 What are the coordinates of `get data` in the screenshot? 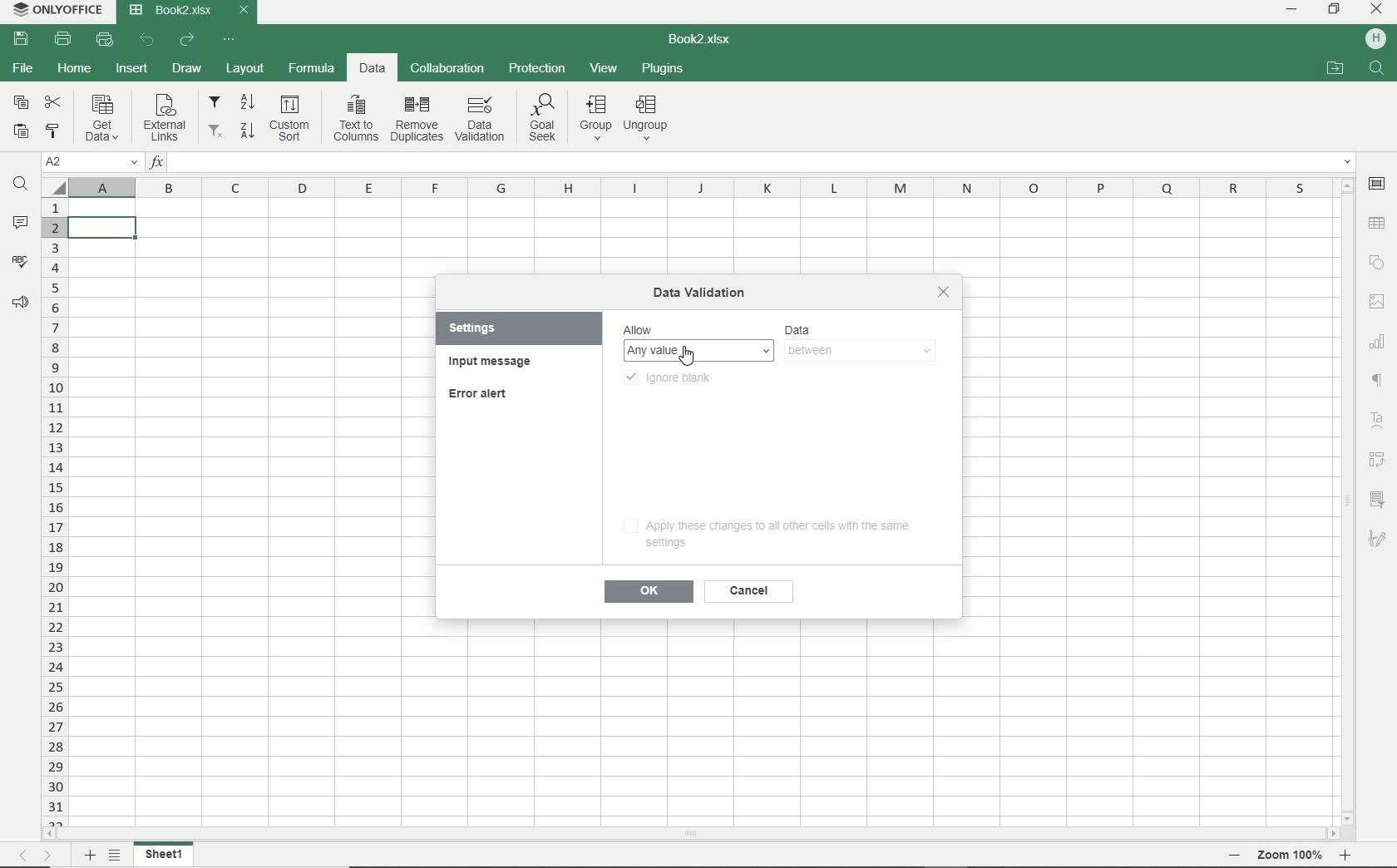 It's located at (106, 117).